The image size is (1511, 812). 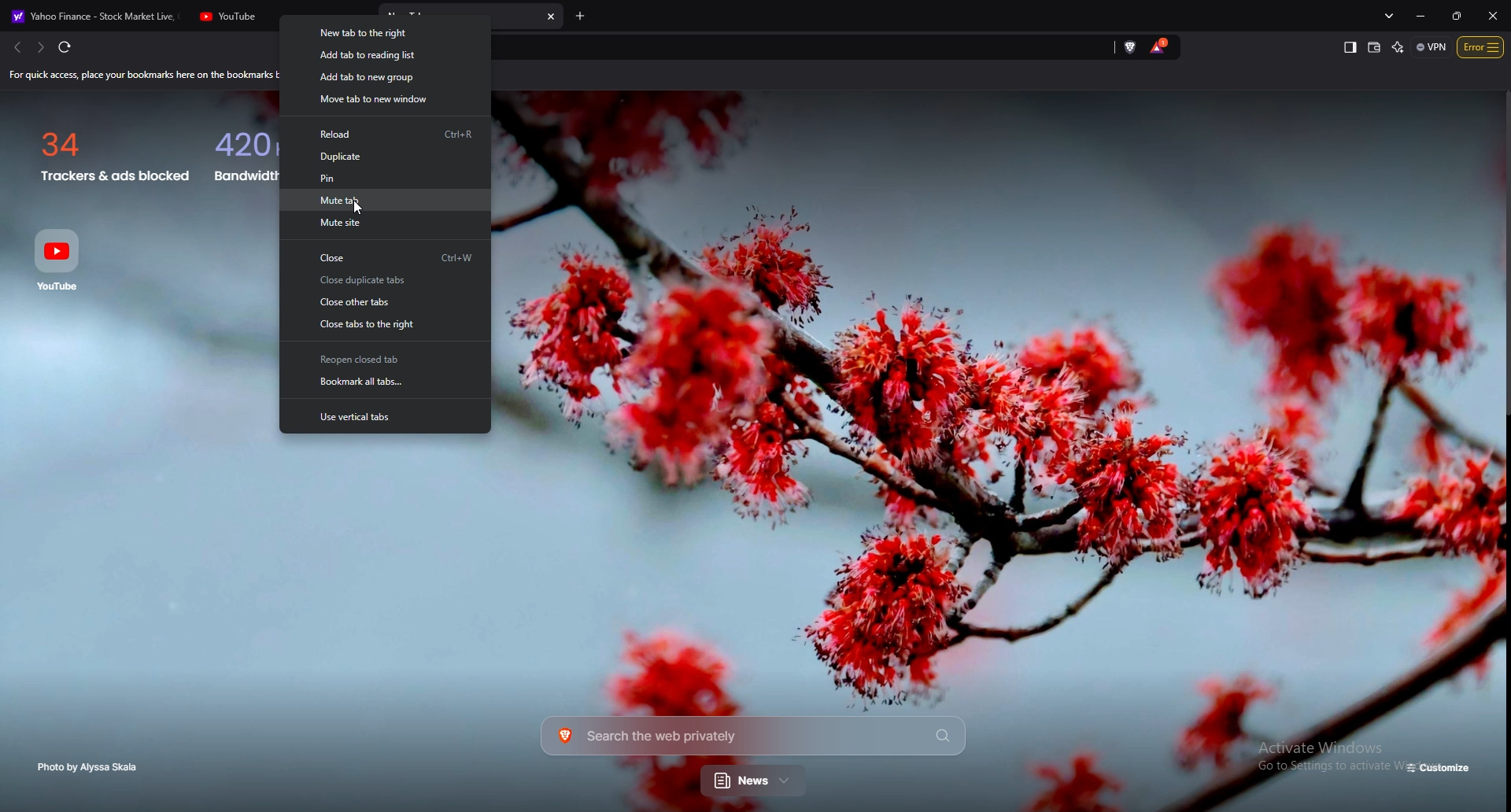 What do you see at coordinates (1391, 15) in the screenshot?
I see `search tabs` at bounding box center [1391, 15].